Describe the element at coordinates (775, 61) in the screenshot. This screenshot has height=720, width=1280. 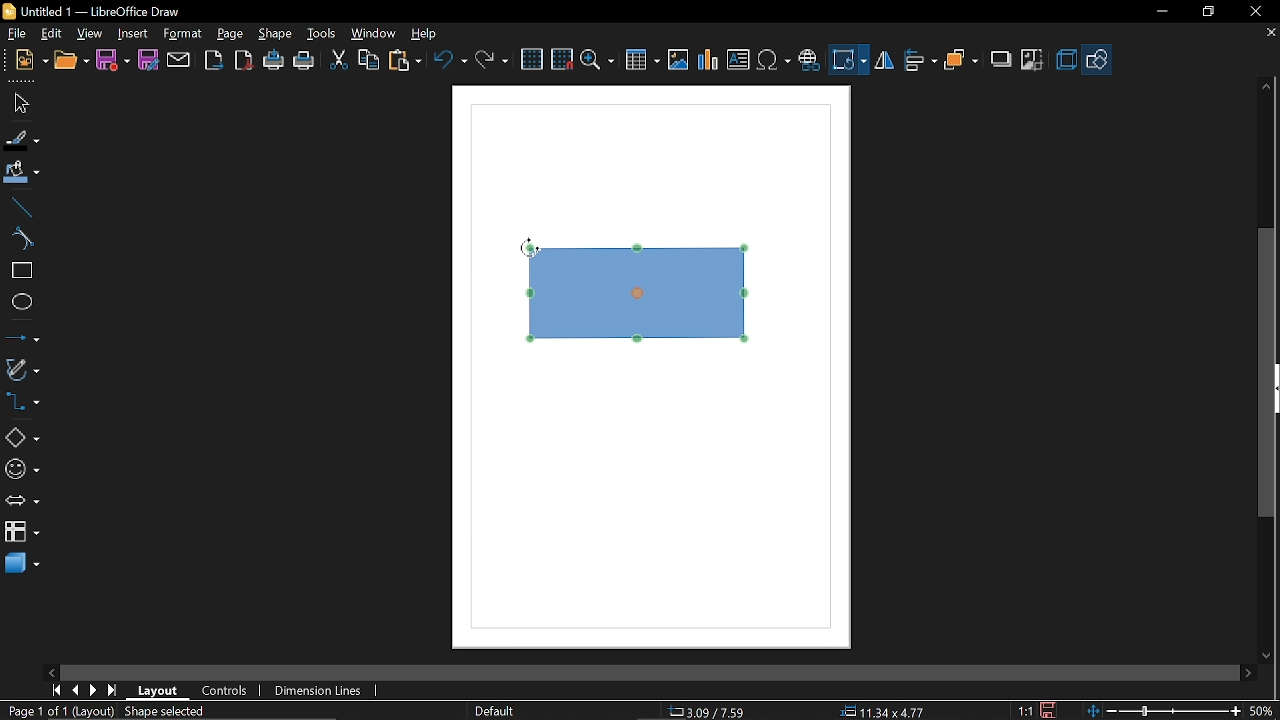
I see `Insert symbols` at that location.